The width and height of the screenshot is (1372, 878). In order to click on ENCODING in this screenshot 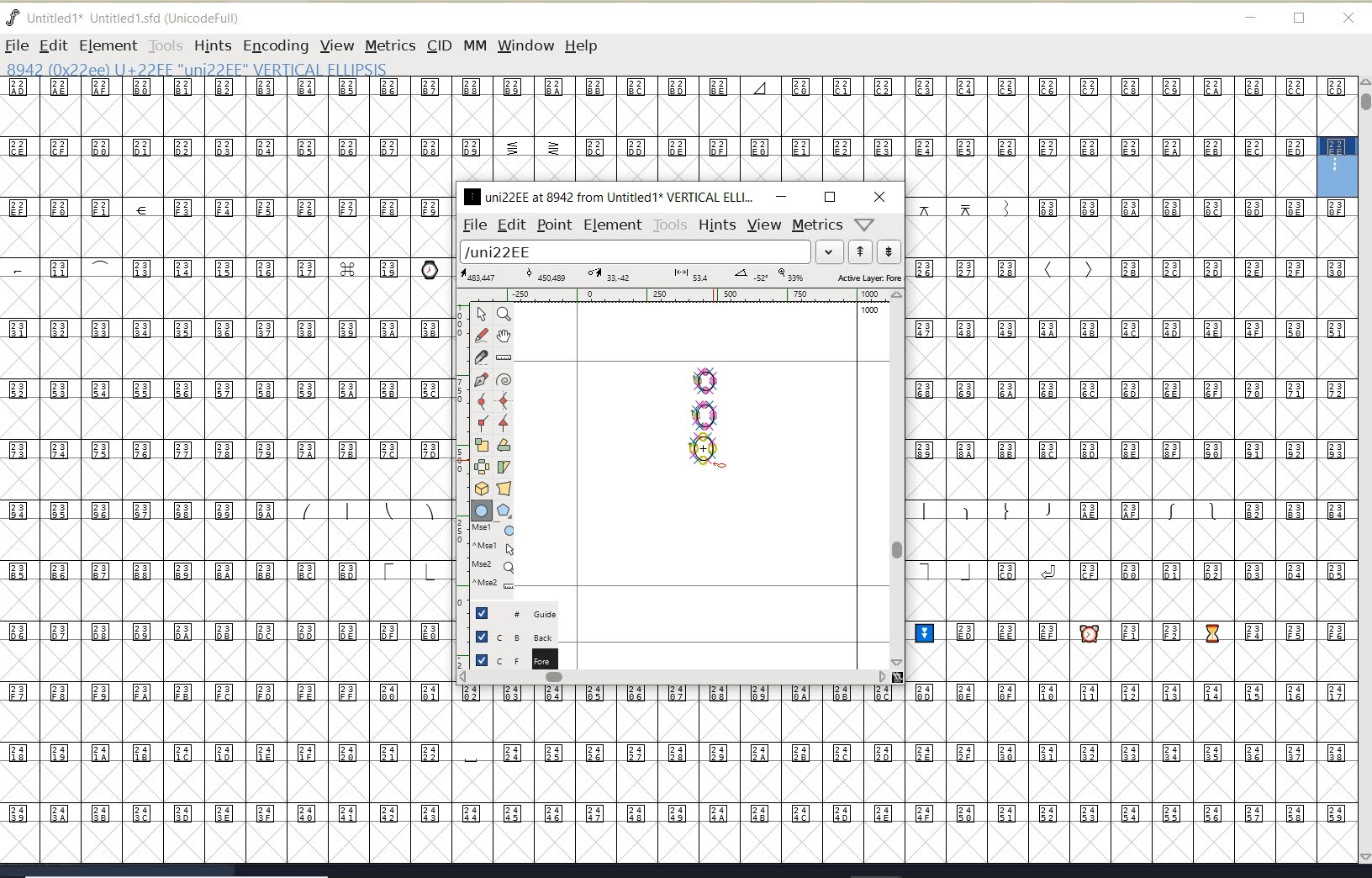, I will do `click(276, 46)`.